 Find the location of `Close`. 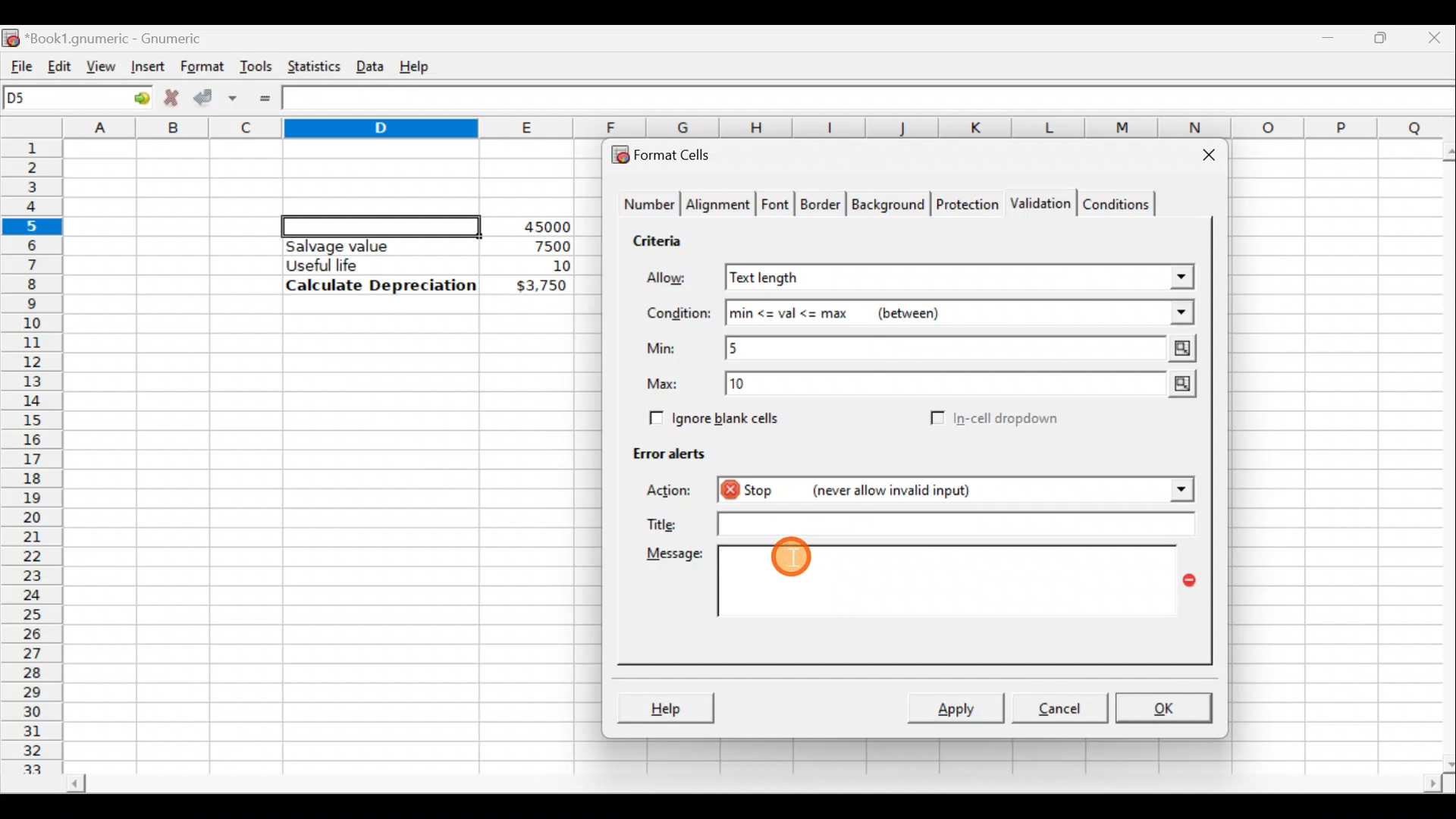

Close is located at coordinates (1437, 36).